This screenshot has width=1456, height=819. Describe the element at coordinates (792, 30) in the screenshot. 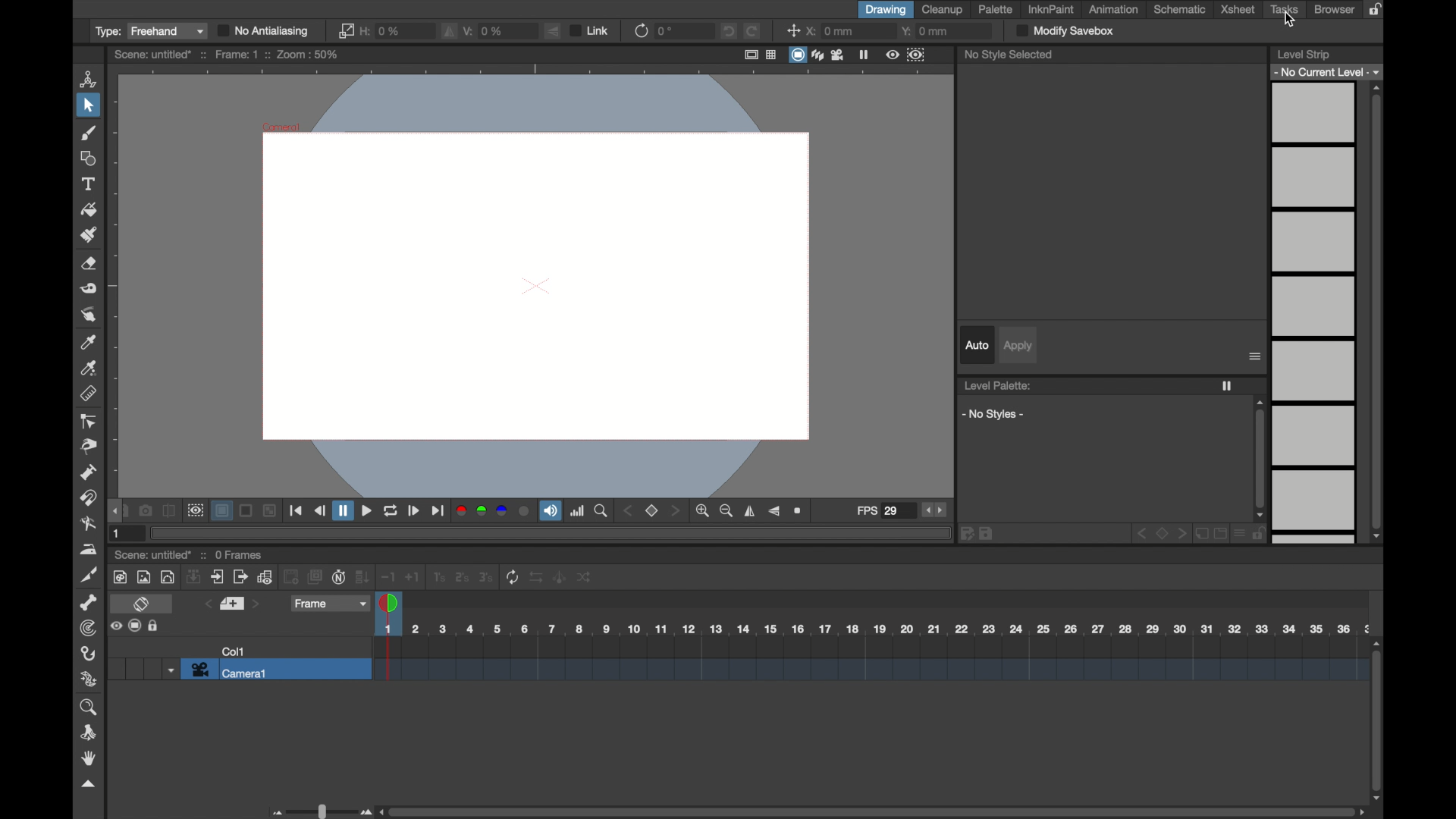

I see `center` at that location.